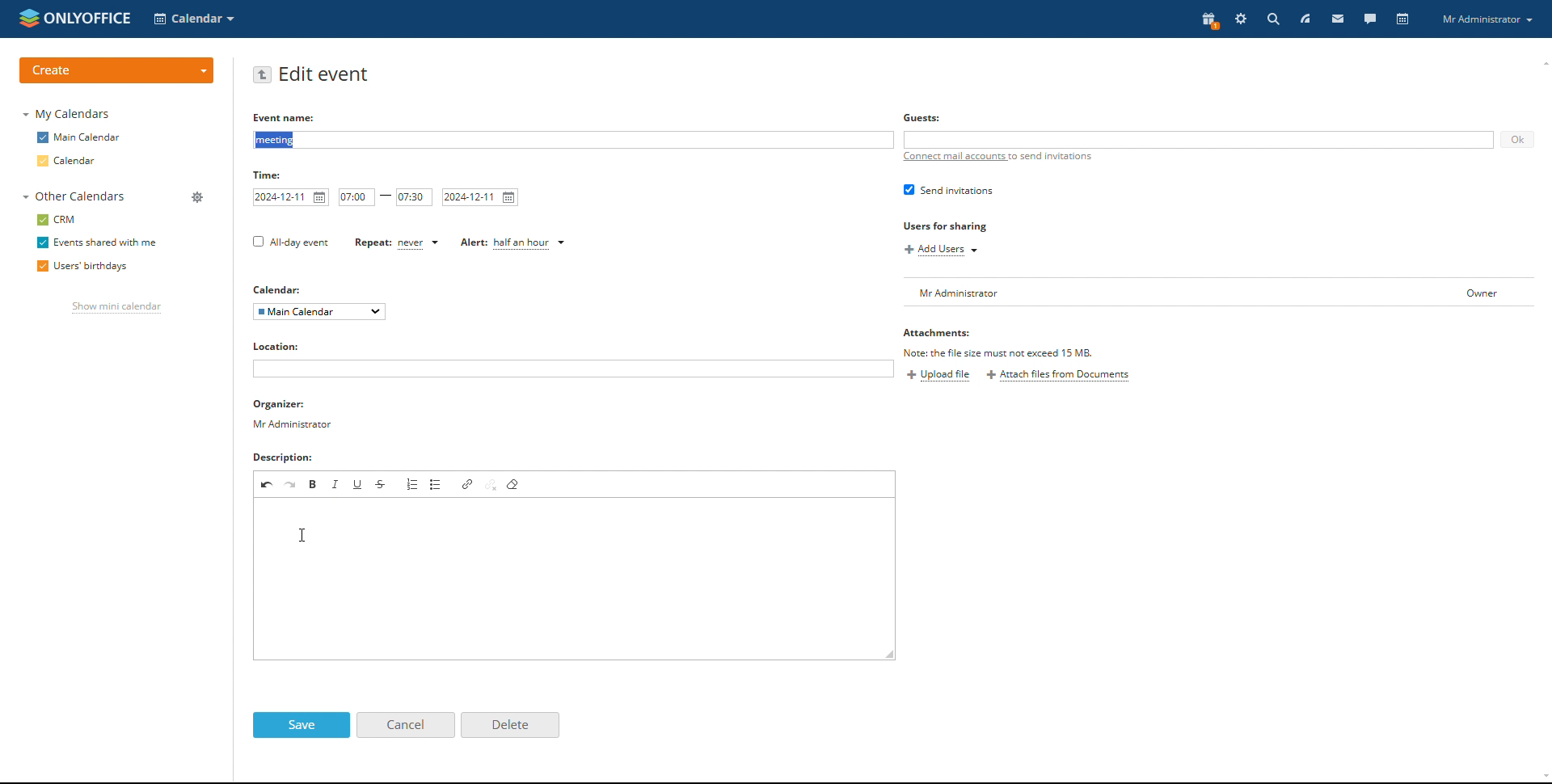 The height and width of the screenshot is (784, 1552). I want to click on Event name:, so click(286, 117).